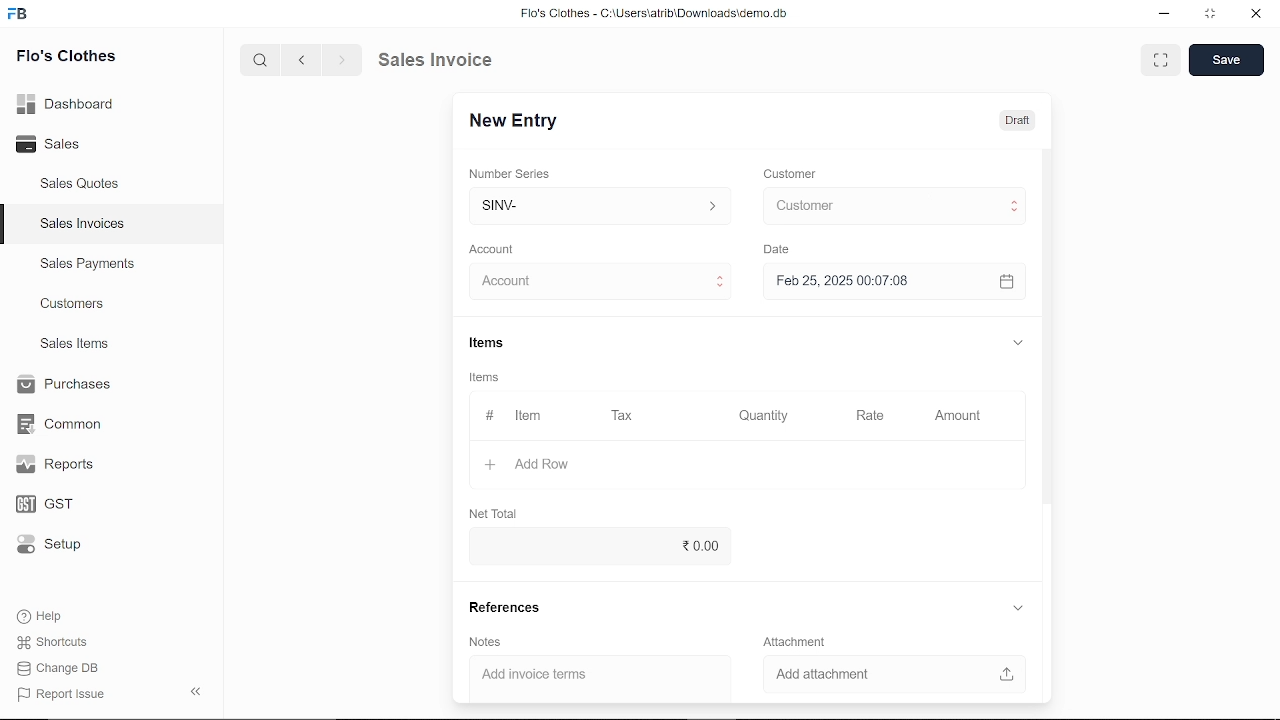 The image size is (1280, 720). I want to click on New Entry, so click(515, 122).